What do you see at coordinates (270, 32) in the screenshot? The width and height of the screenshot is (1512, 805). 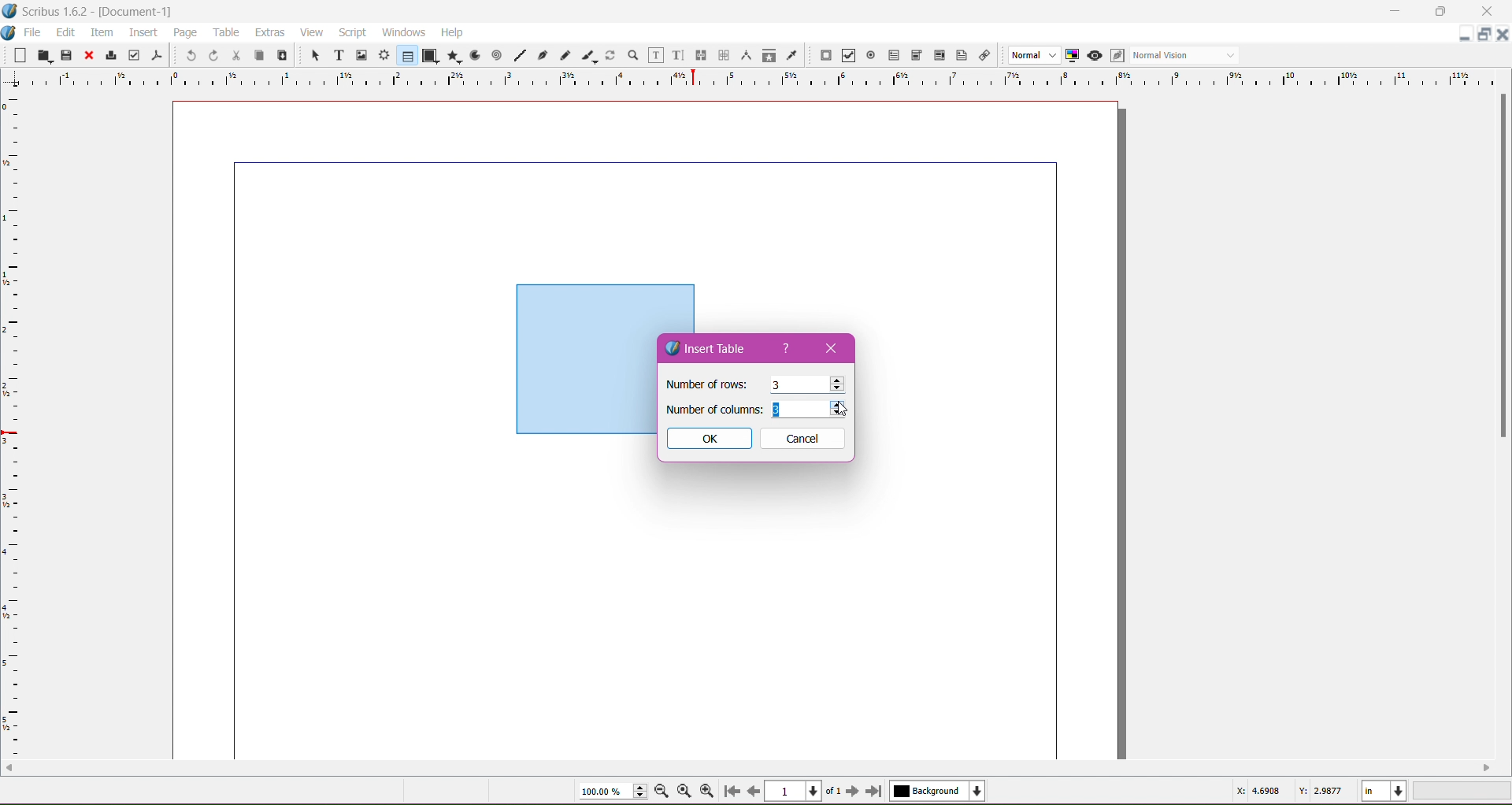 I see `Extras` at bounding box center [270, 32].